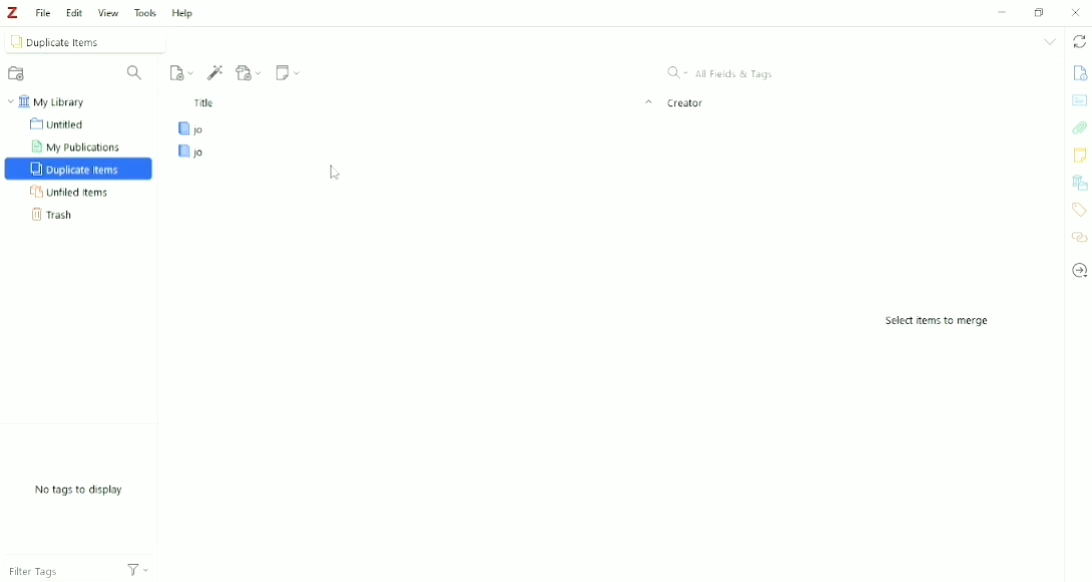 The image size is (1092, 582). I want to click on Select items to merge, so click(938, 322).